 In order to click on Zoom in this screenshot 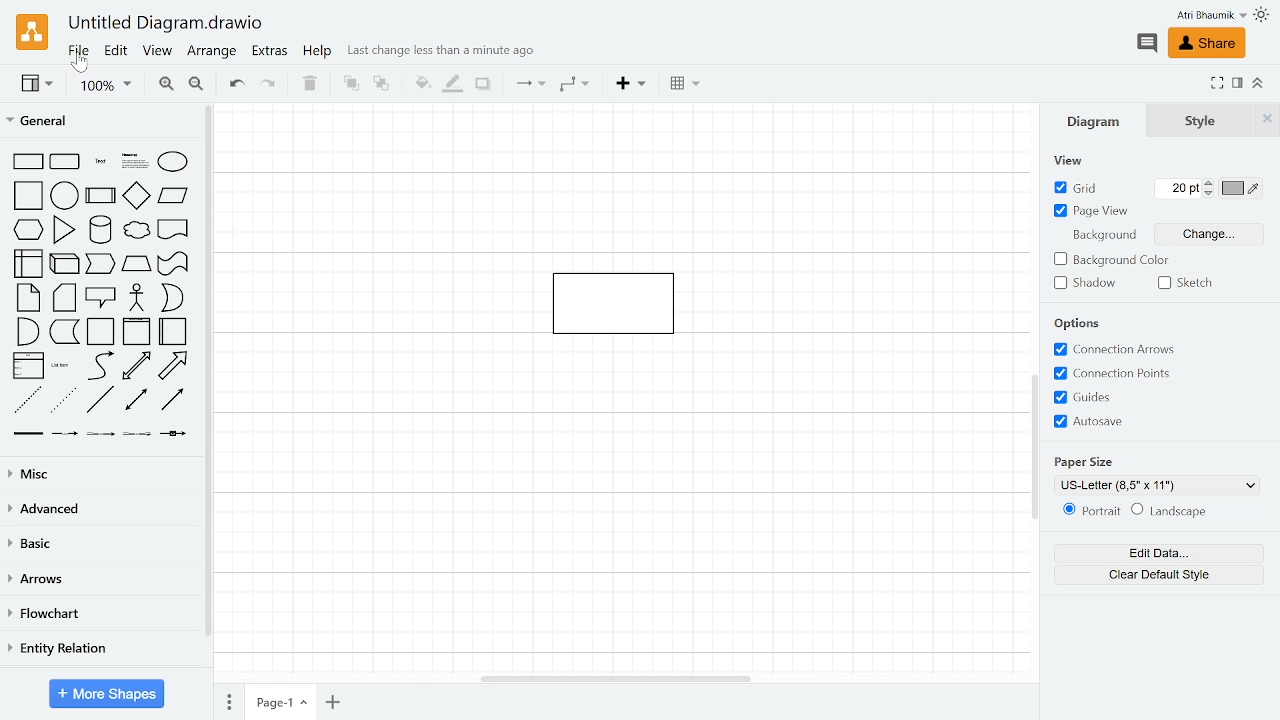, I will do `click(109, 87)`.